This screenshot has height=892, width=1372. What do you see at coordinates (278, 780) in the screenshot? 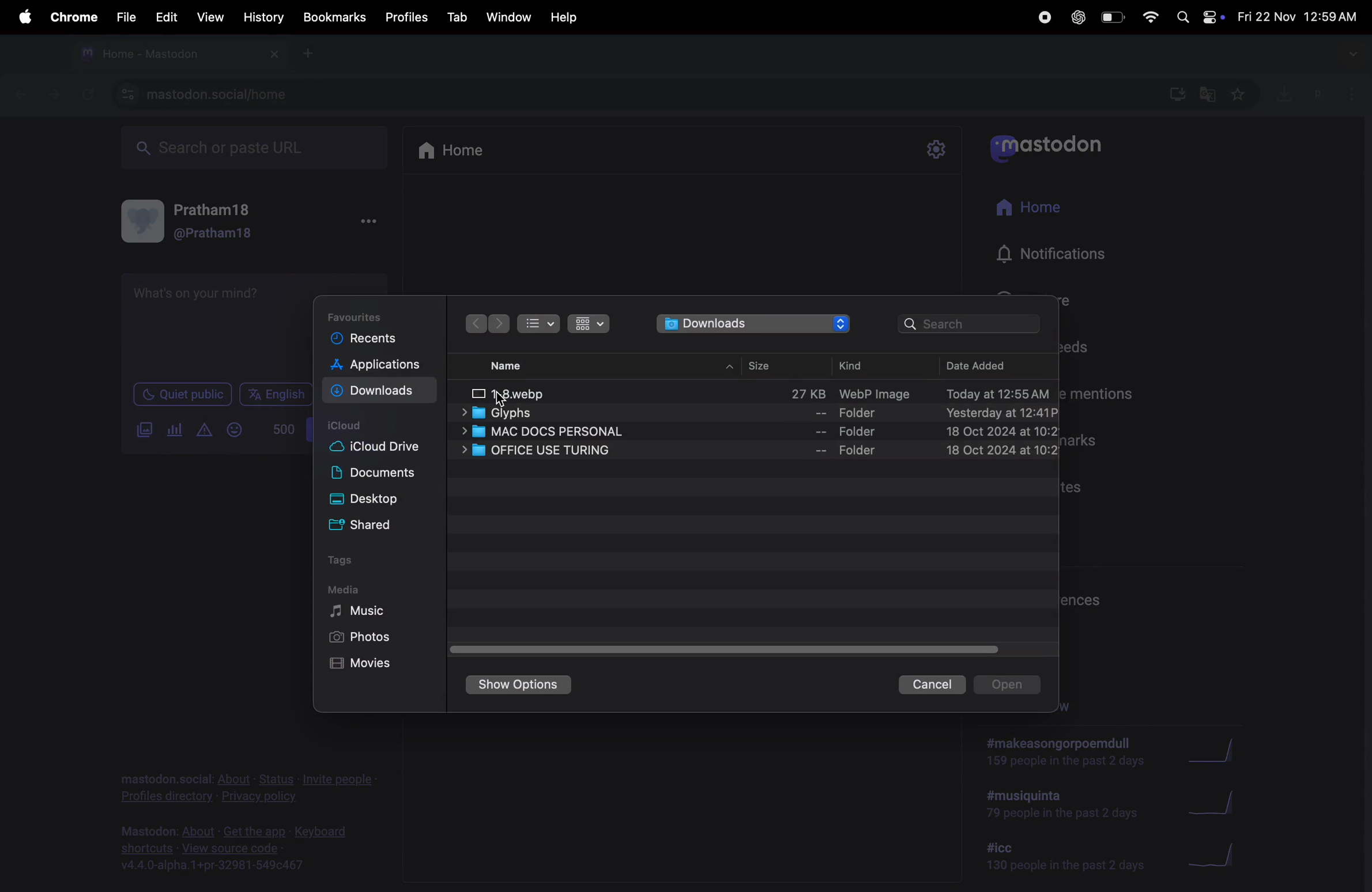
I see `status` at bounding box center [278, 780].